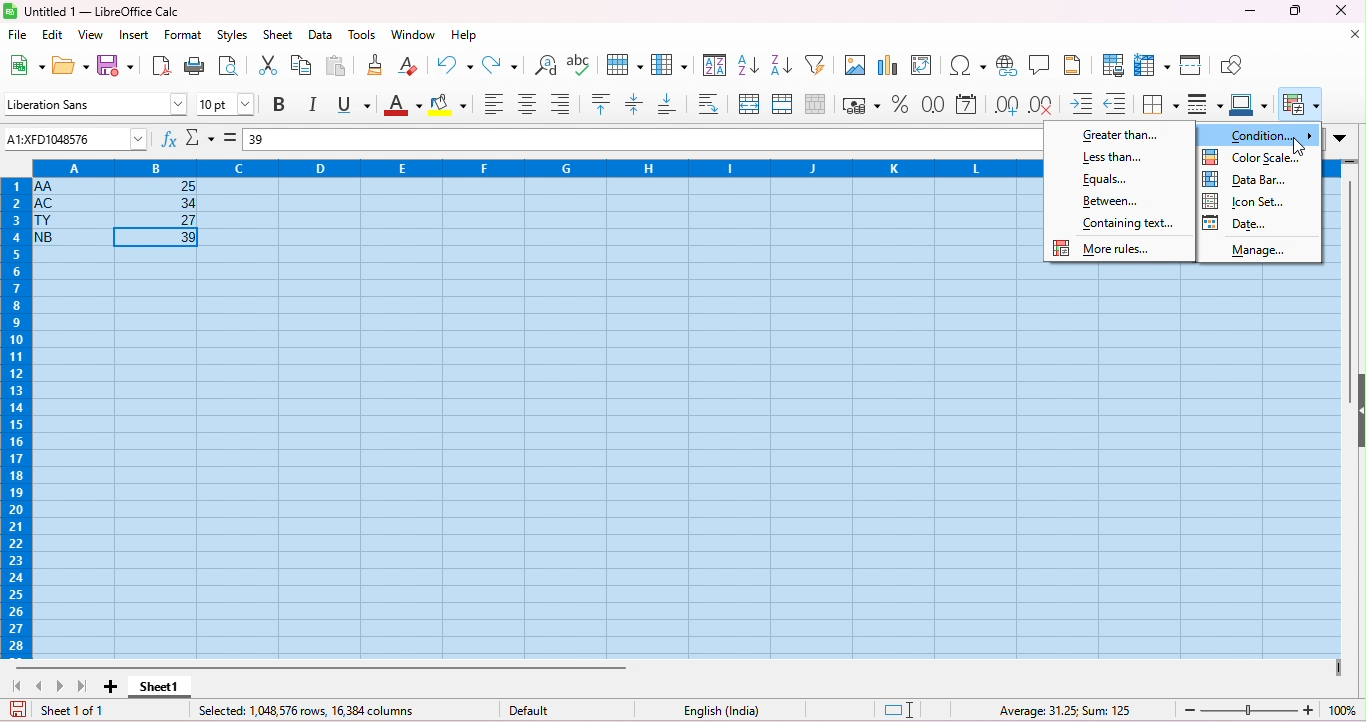 This screenshot has height=722, width=1366. Describe the element at coordinates (782, 103) in the screenshot. I see `merge` at that location.